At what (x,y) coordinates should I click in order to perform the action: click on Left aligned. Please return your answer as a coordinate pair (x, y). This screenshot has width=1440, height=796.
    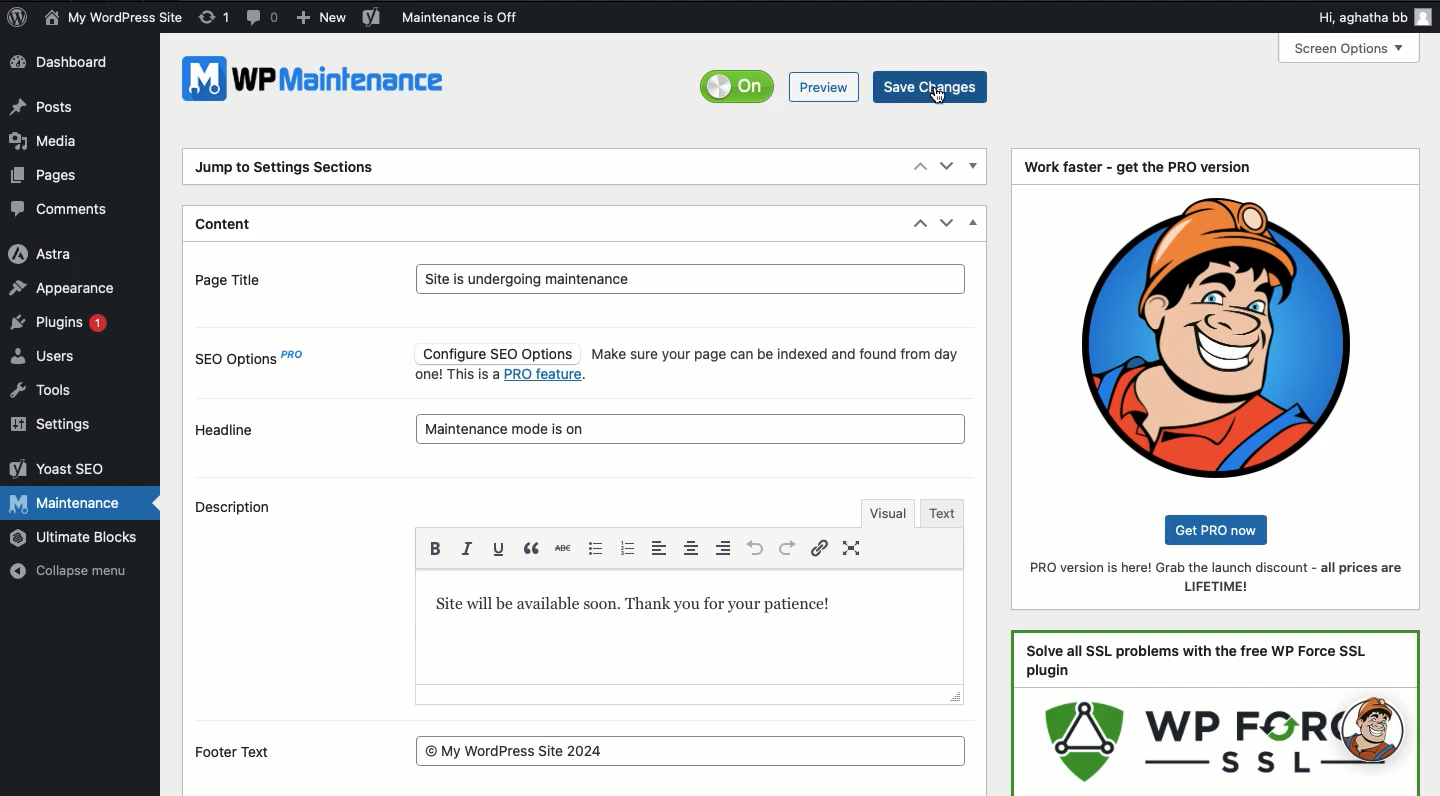
    Looking at the image, I should click on (725, 547).